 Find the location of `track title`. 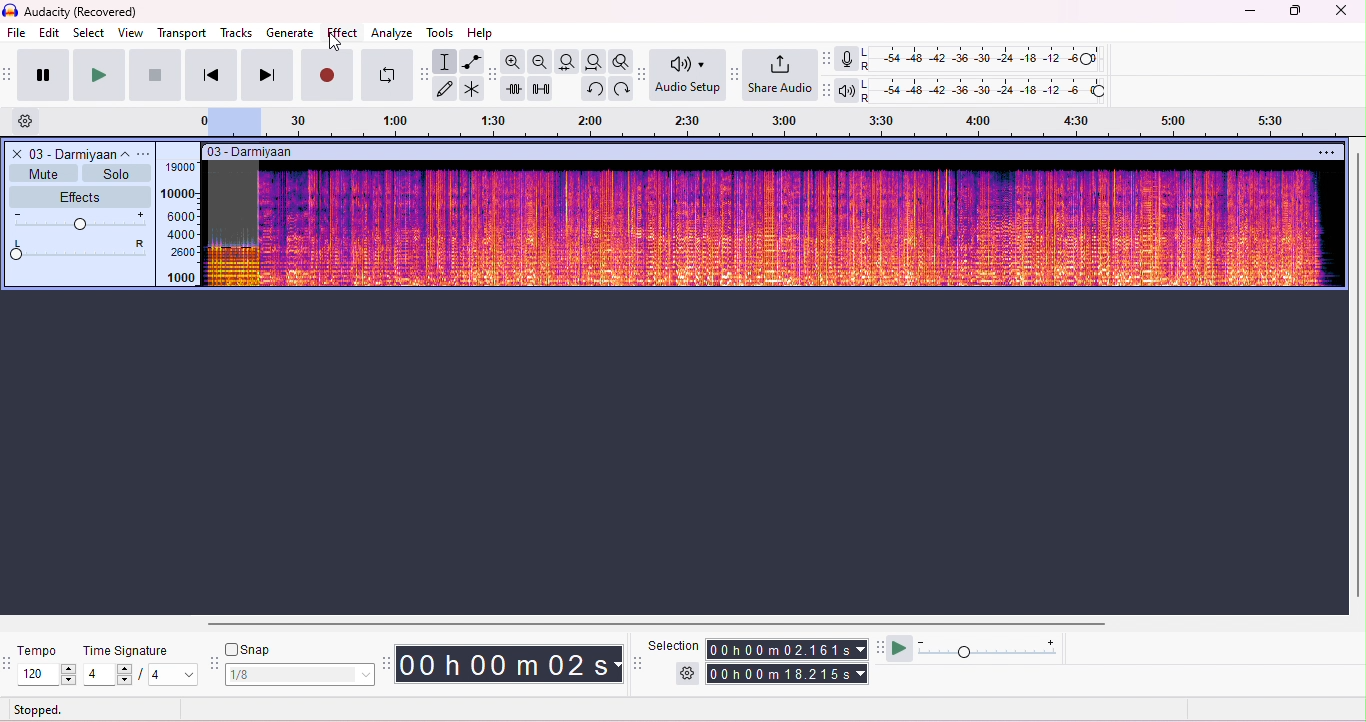

track title is located at coordinates (312, 153).